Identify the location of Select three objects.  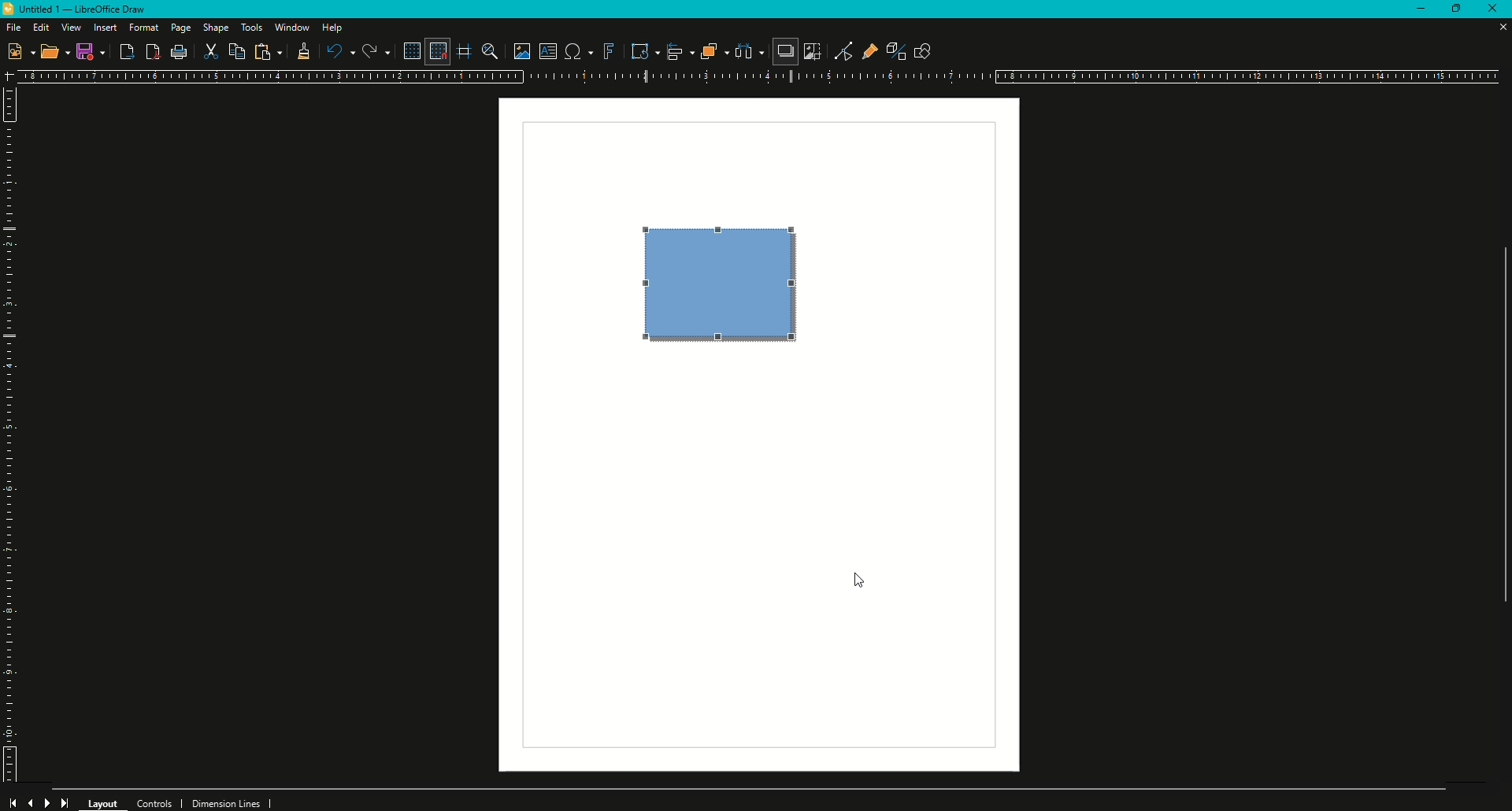
(749, 52).